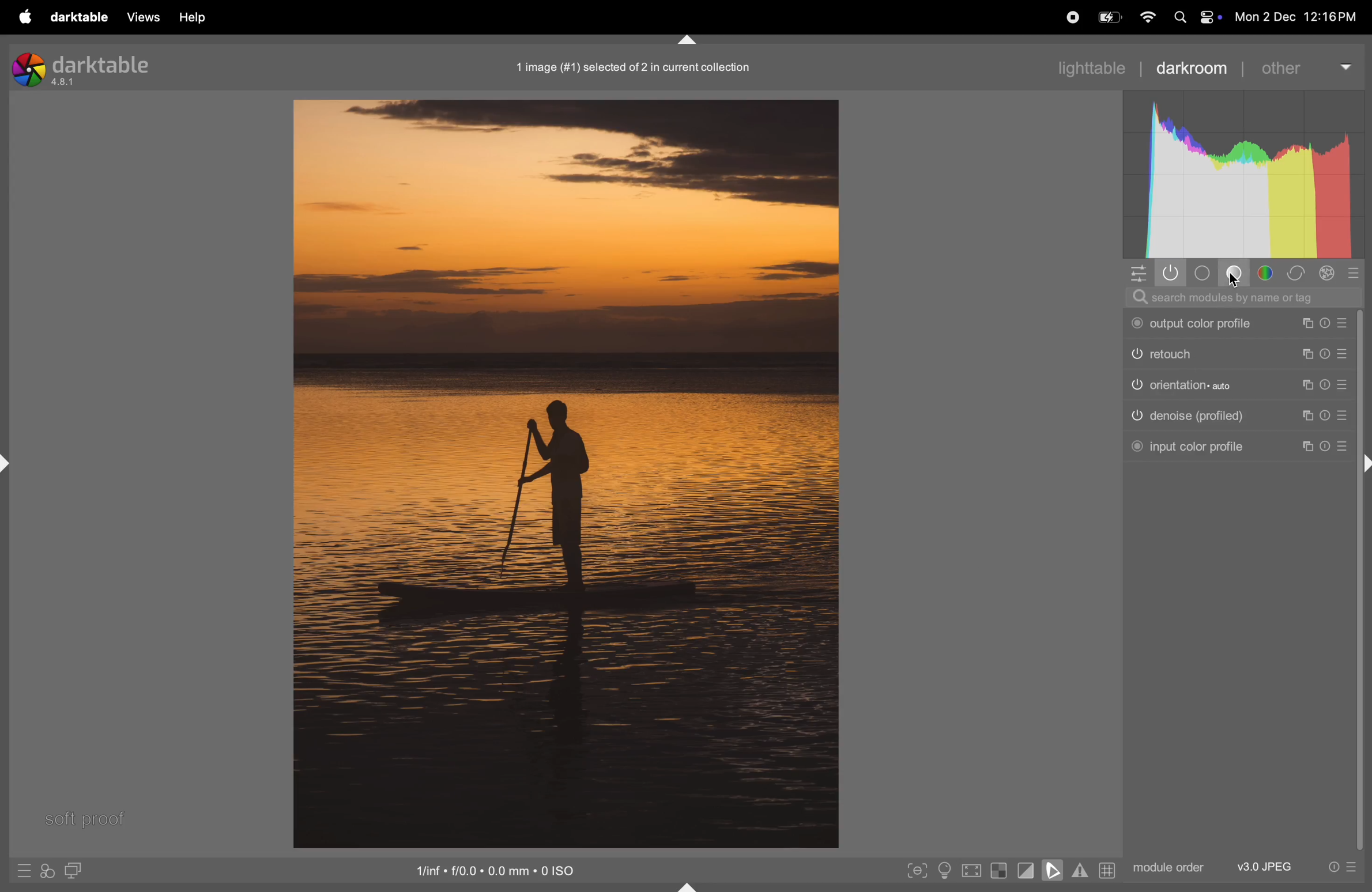 The width and height of the screenshot is (1372, 892). I want to click on color, so click(1269, 273).